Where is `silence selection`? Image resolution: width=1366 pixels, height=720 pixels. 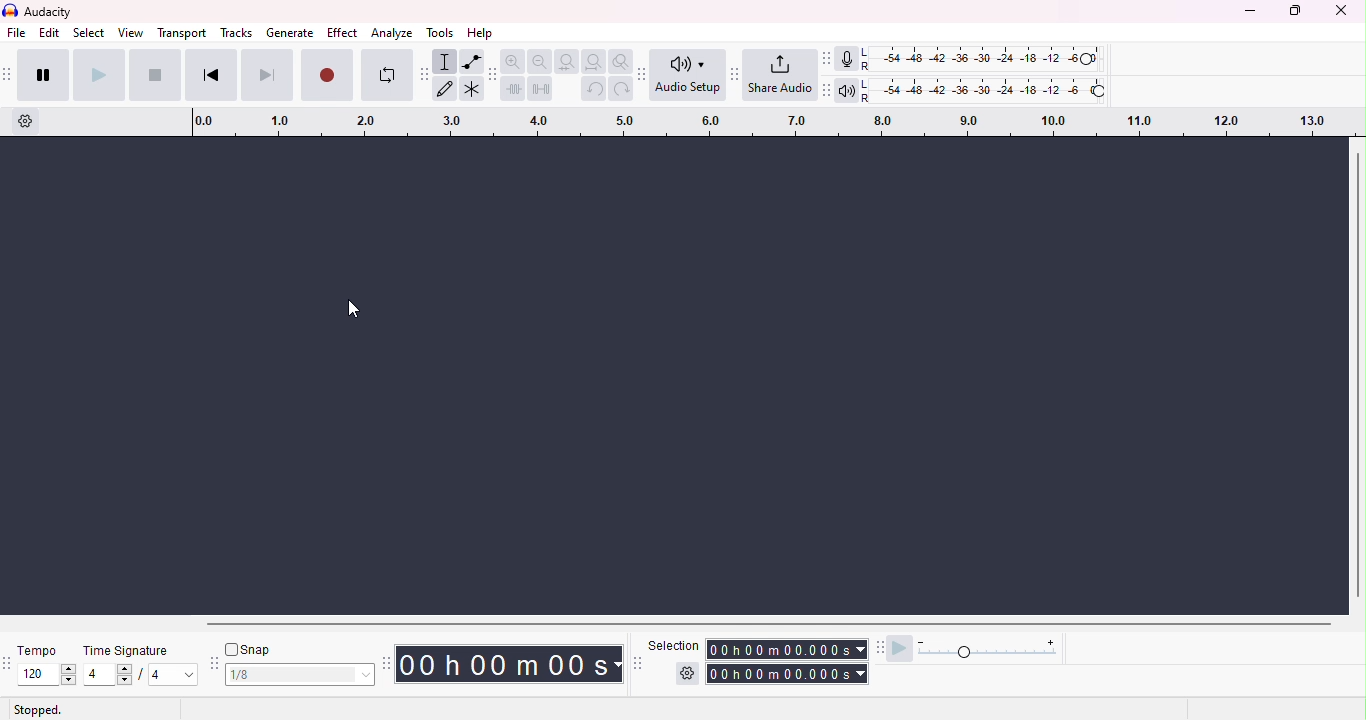 silence selection is located at coordinates (541, 88).